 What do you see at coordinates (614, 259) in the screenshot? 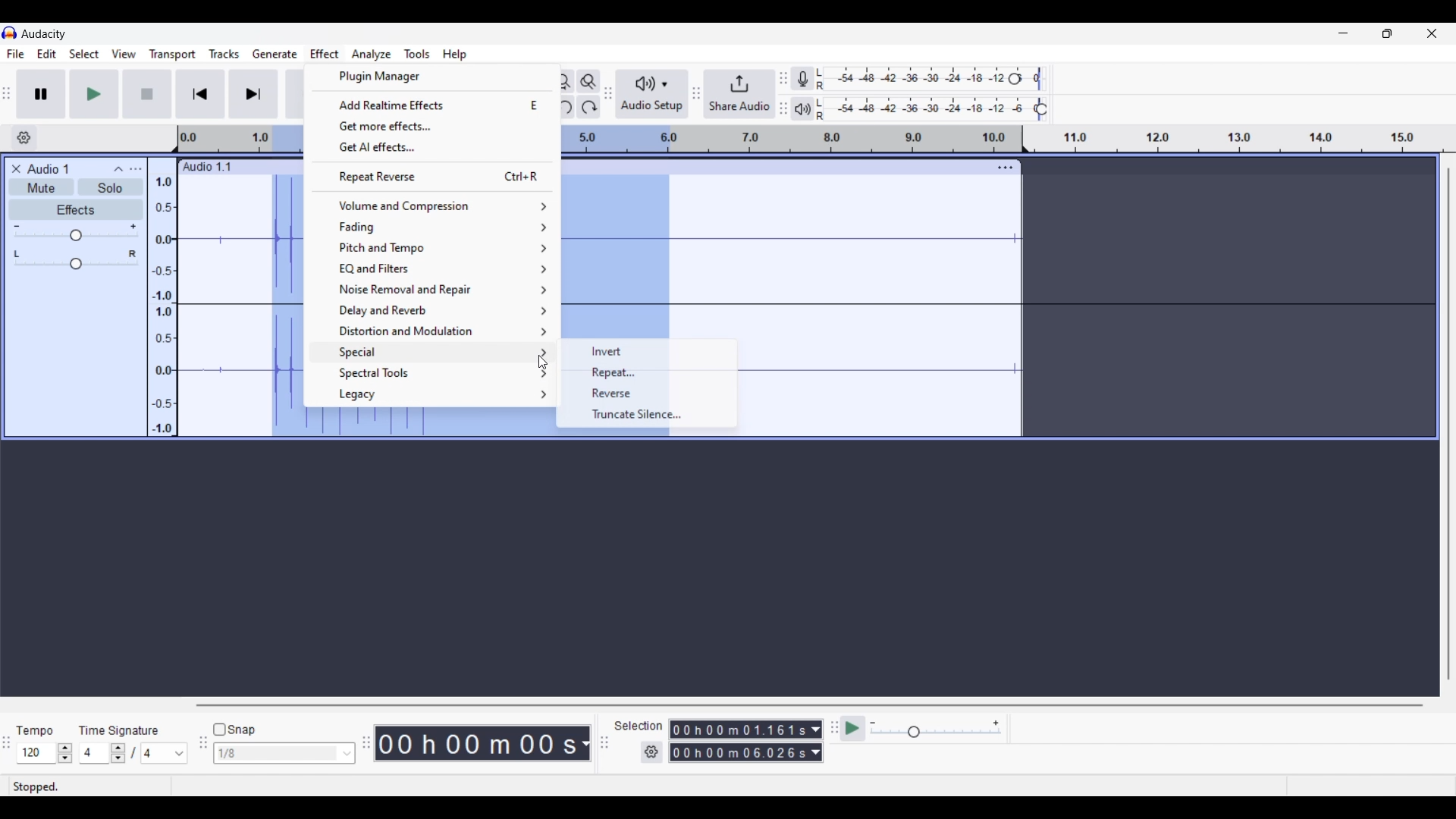
I see `Portion of recorded audio track selected` at bounding box center [614, 259].